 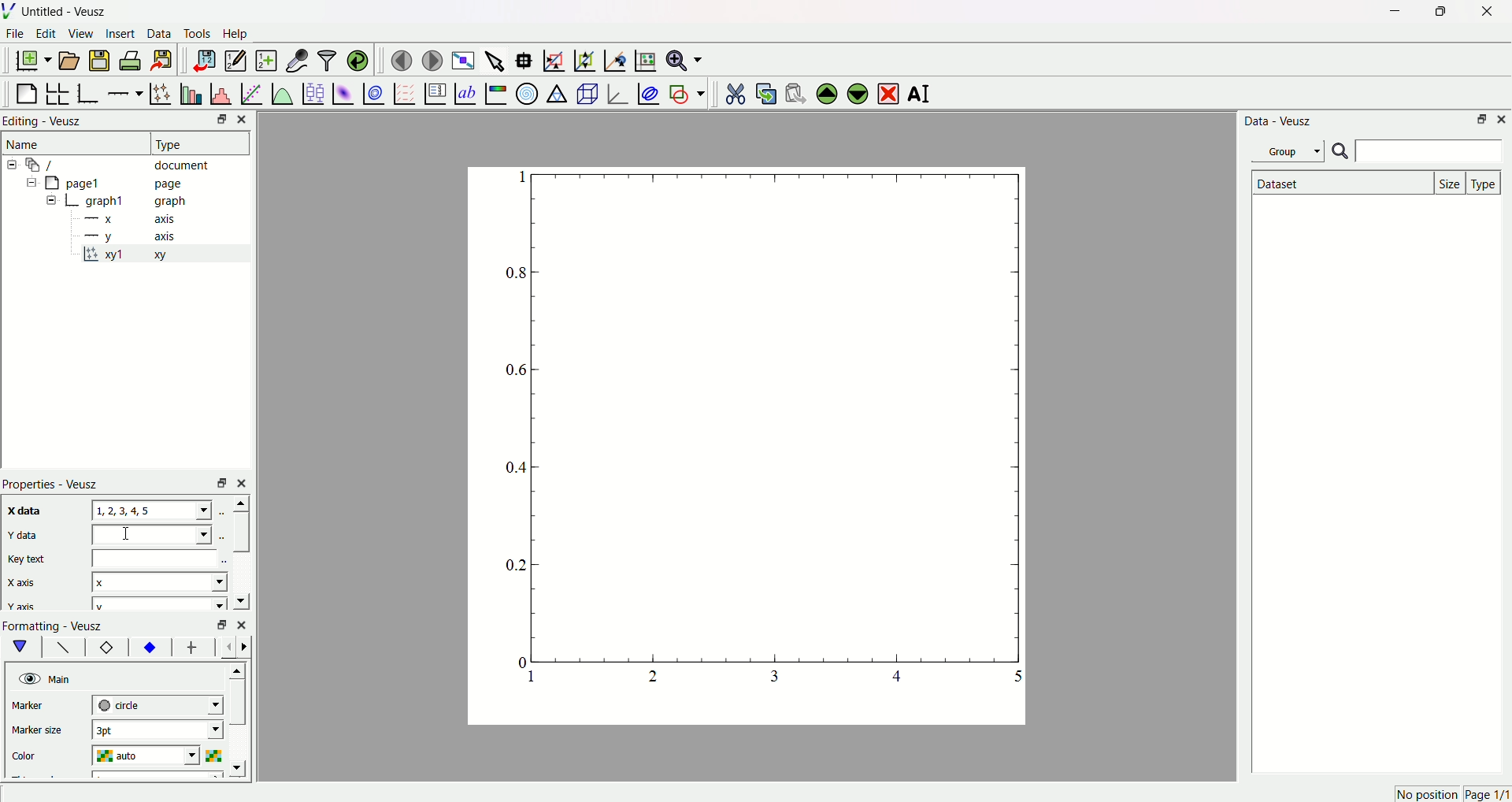 I want to click on collapse, so click(x=14, y=165).